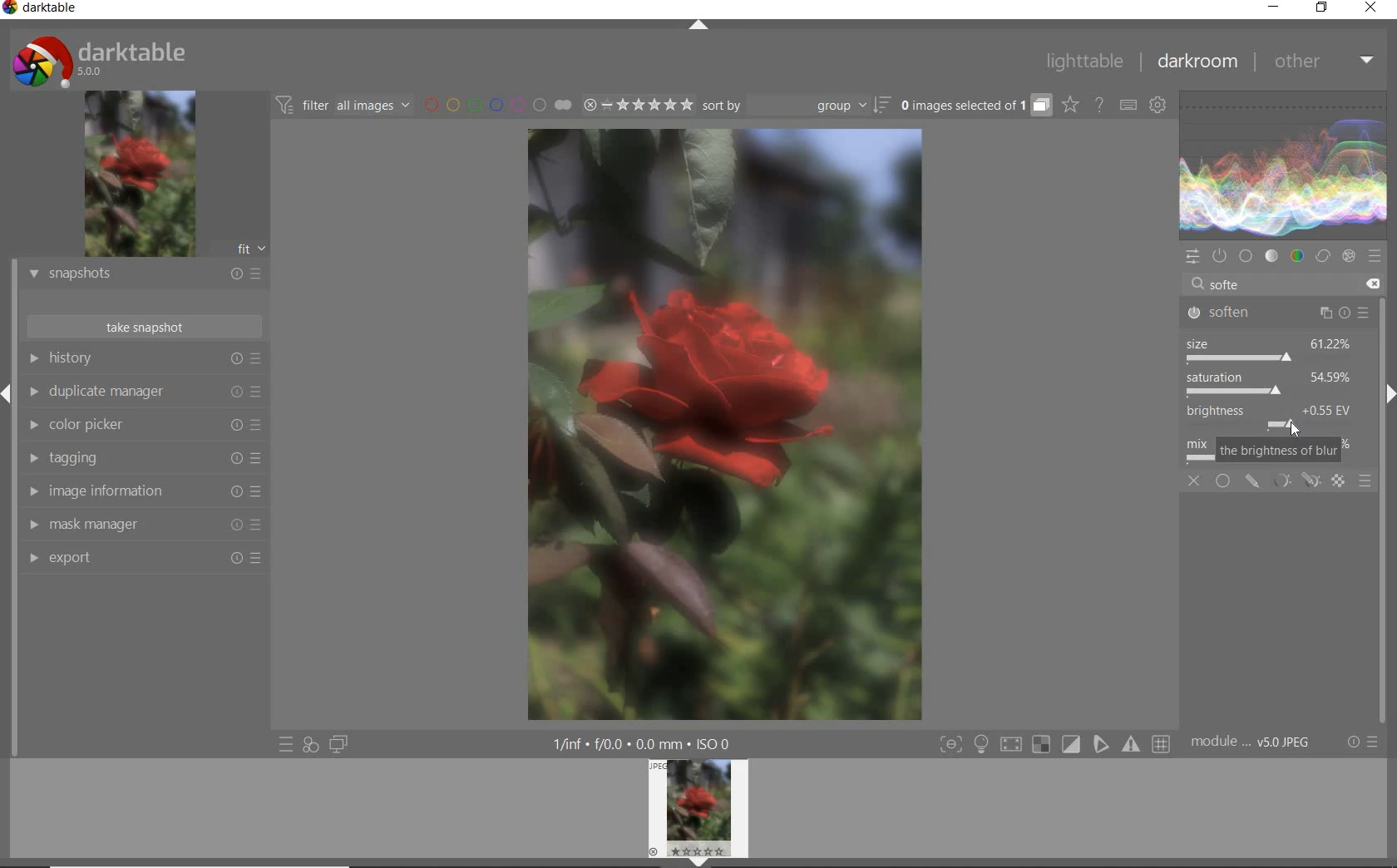 This screenshot has width=1397, height=868. I want to click on the brightness of blur, so click(1278, 451).